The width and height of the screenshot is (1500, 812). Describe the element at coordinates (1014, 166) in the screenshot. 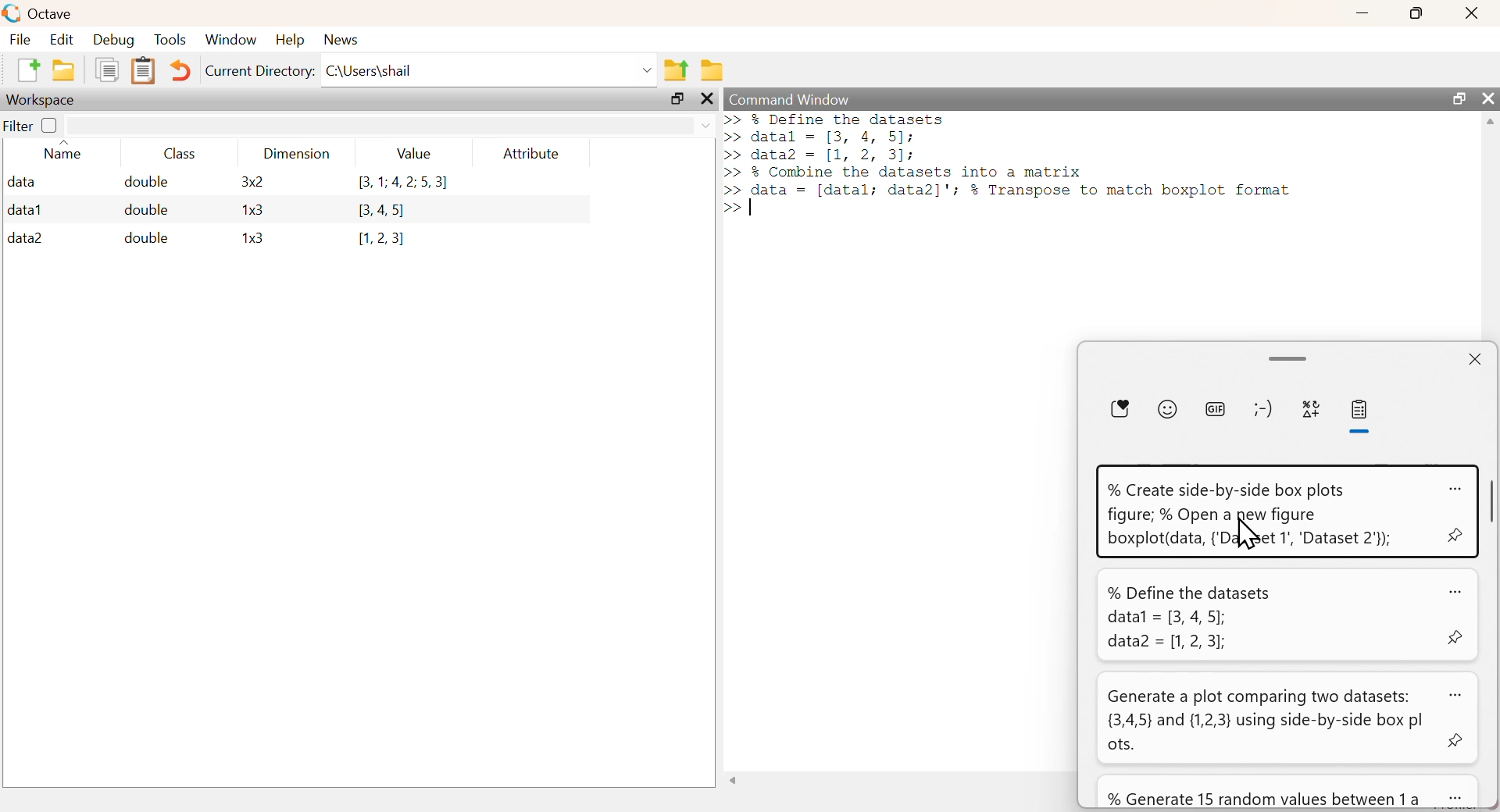

I see `>> % Define the datasets

>> datal = [3, 4, 5];

>> data2 = [1, 2, 3];

>> % Combine the datasets into a matrix

>> fee = [datal; data2]'; % Transpose to match boxplot format
>>` at that location.